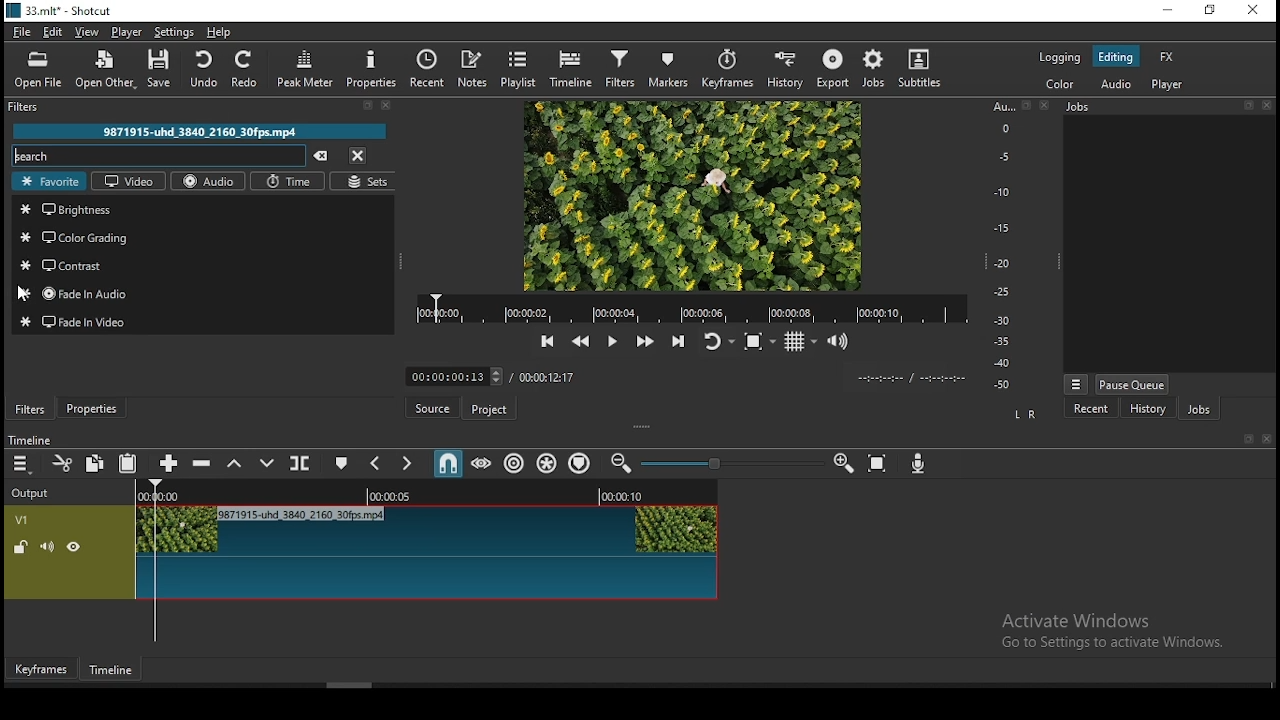 The width and height of the screenshot is (1280, 720). What do you see at coordinates (1007, 129) in the screenshot?
I see `0` at bounding box center [1007, 129].